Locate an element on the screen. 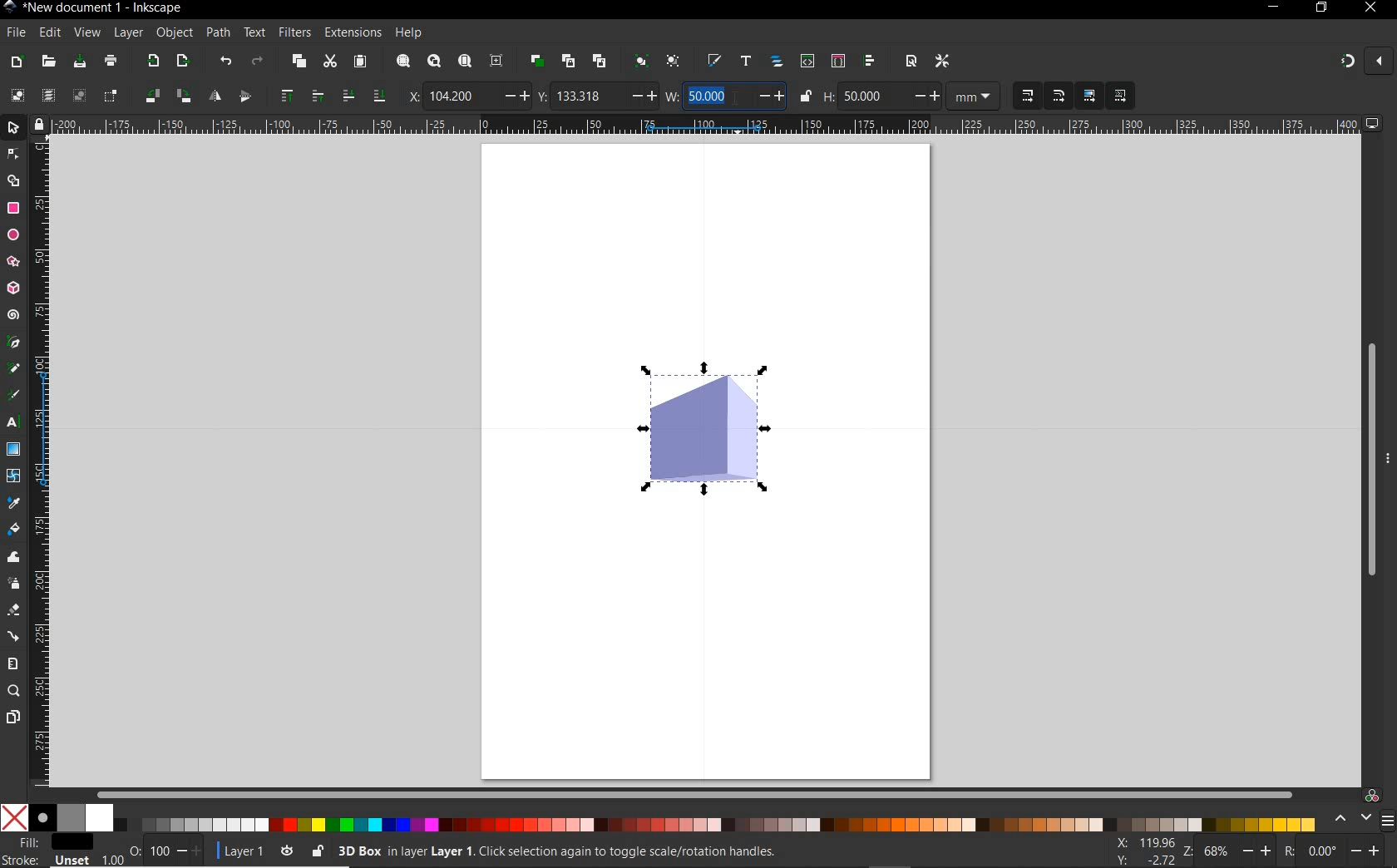  increase/decrease is located at coordinates (641, 96).